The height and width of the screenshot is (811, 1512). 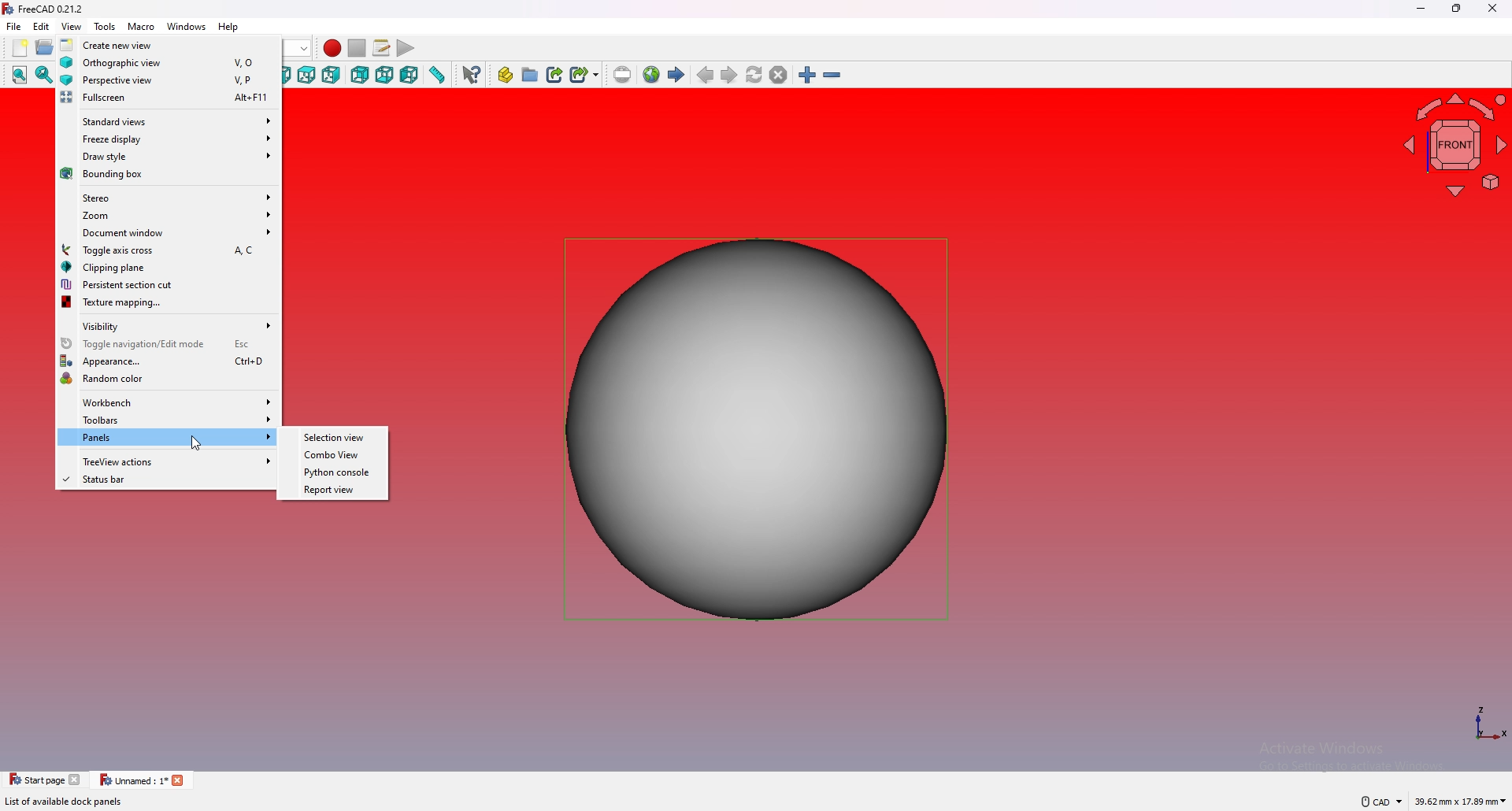 What do you see at coordinates (1379, 802) in the screenshot?
I see `CAD navigation` at bounding box center [1379, 802].